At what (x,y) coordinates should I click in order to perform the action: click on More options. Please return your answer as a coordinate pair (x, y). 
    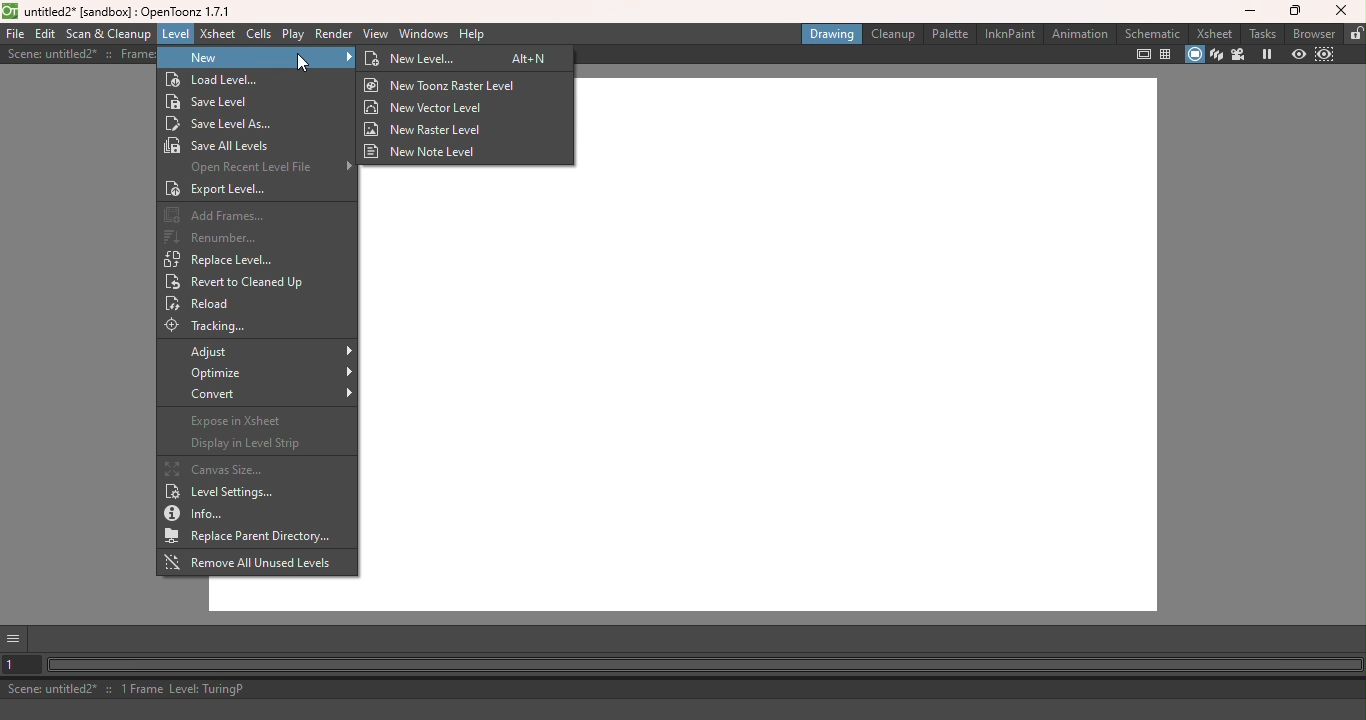
    Looking at the image, I should click on (16, 640).